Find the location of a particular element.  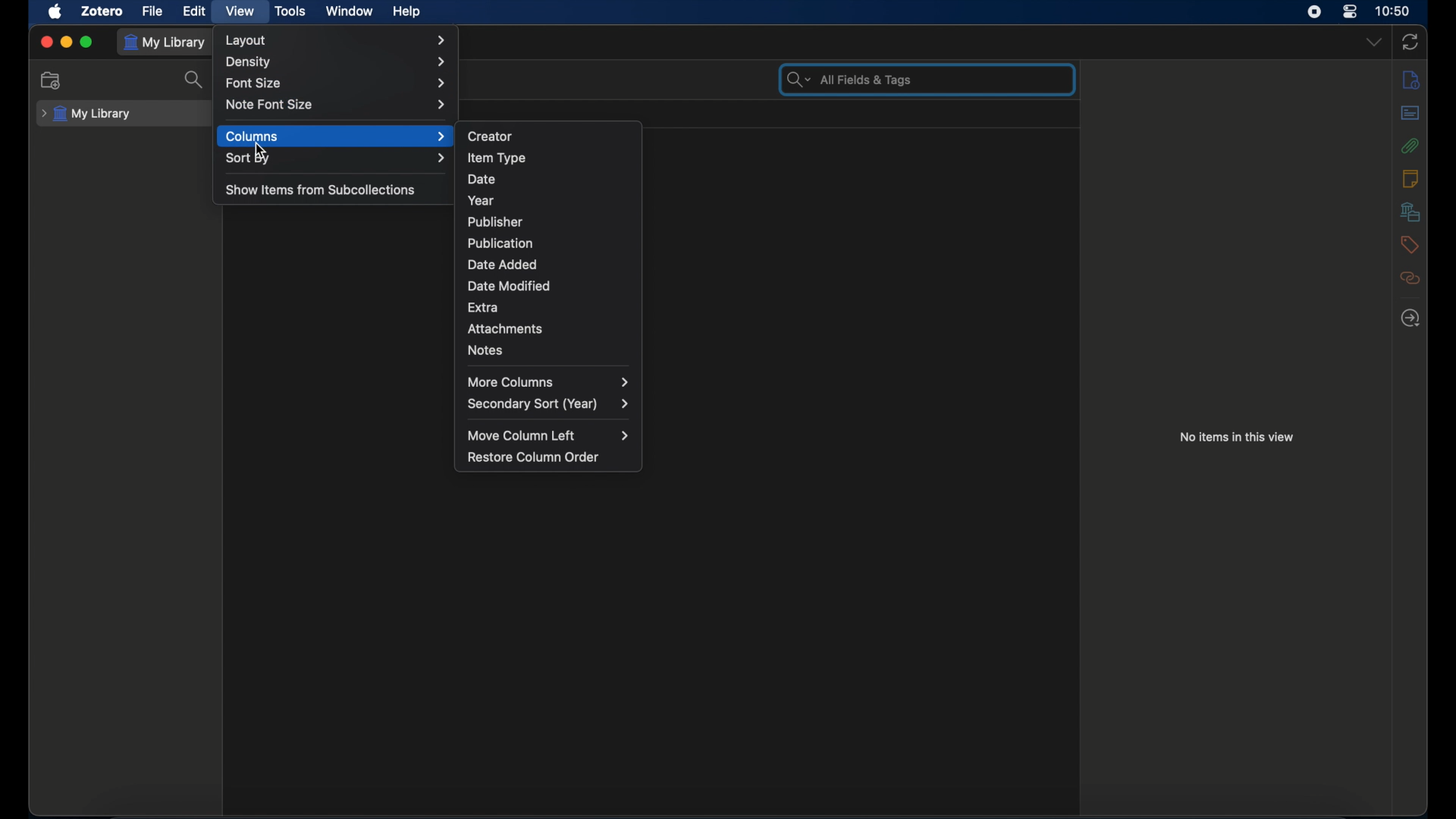

view is located at coordinates (241, 12).